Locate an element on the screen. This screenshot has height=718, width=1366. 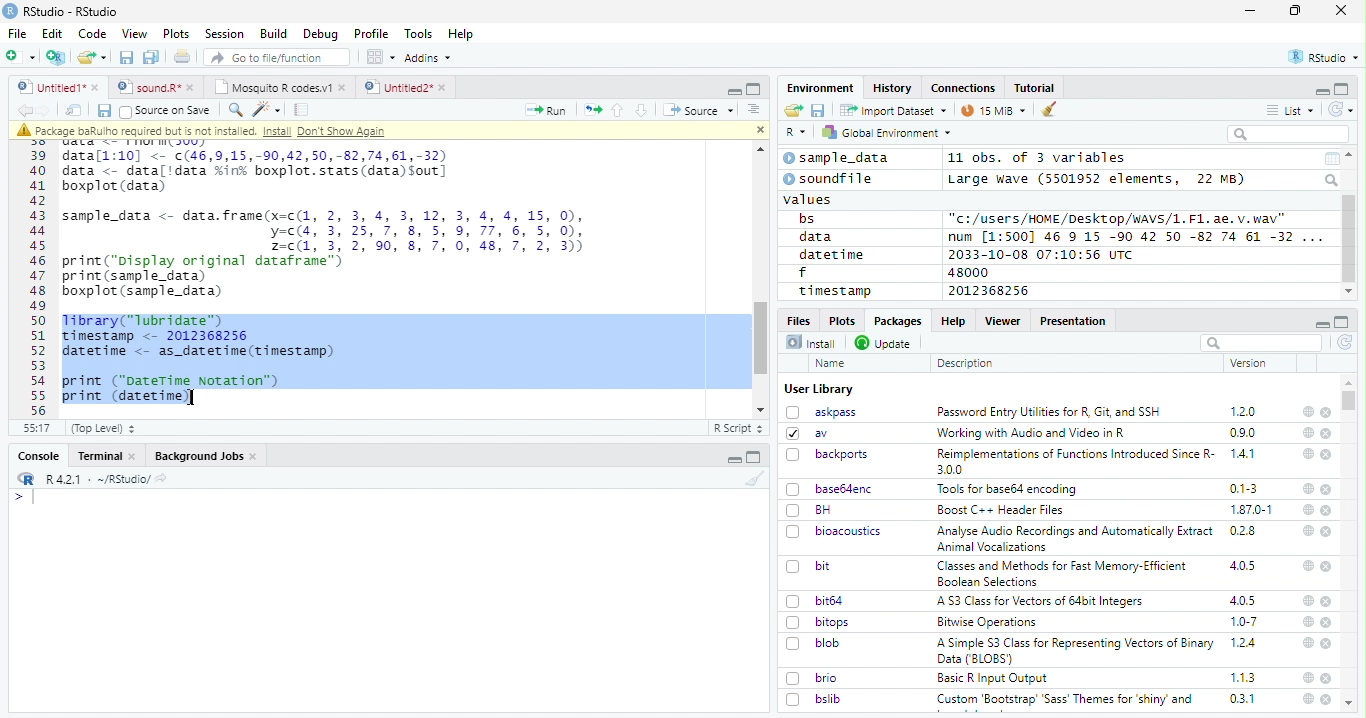
0.2.8 is located at coordinates (1244, 530).